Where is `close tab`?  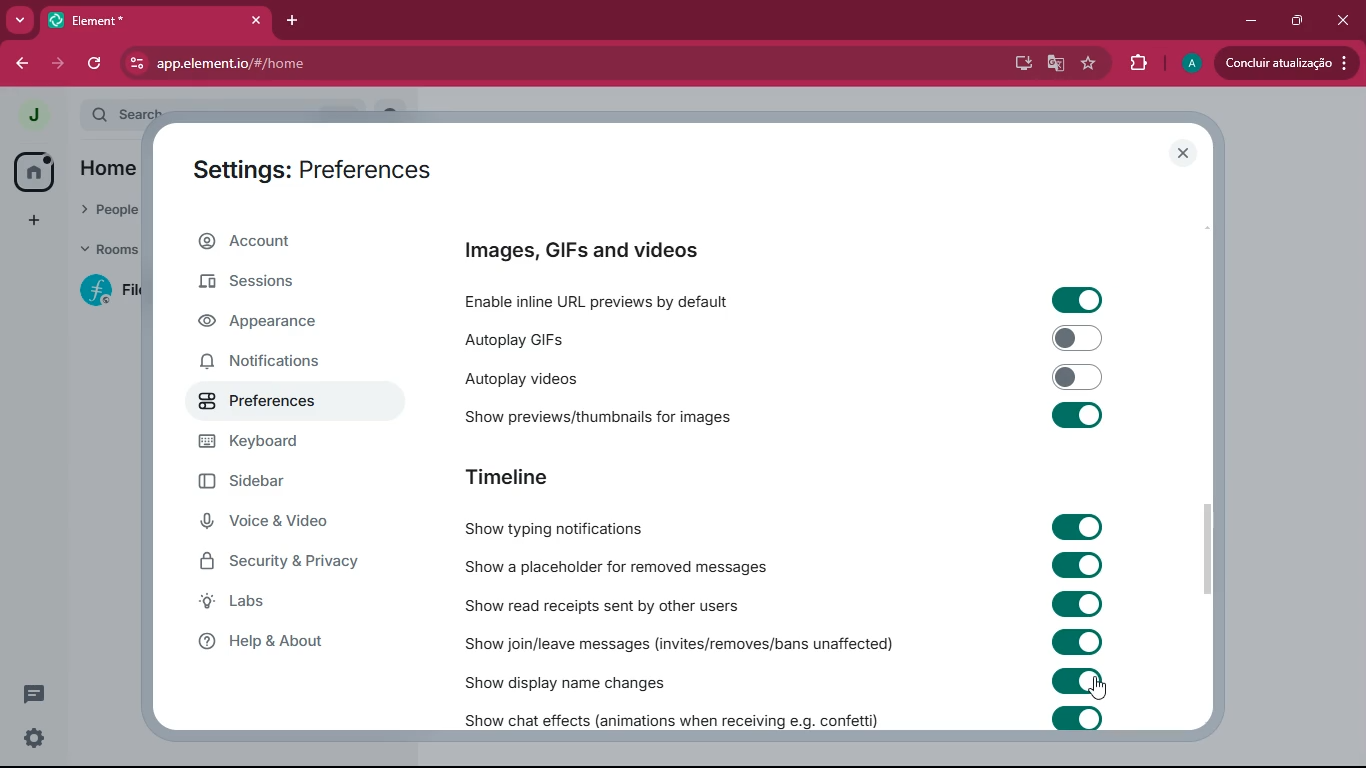
close tab is located at coordinates (256, 21).